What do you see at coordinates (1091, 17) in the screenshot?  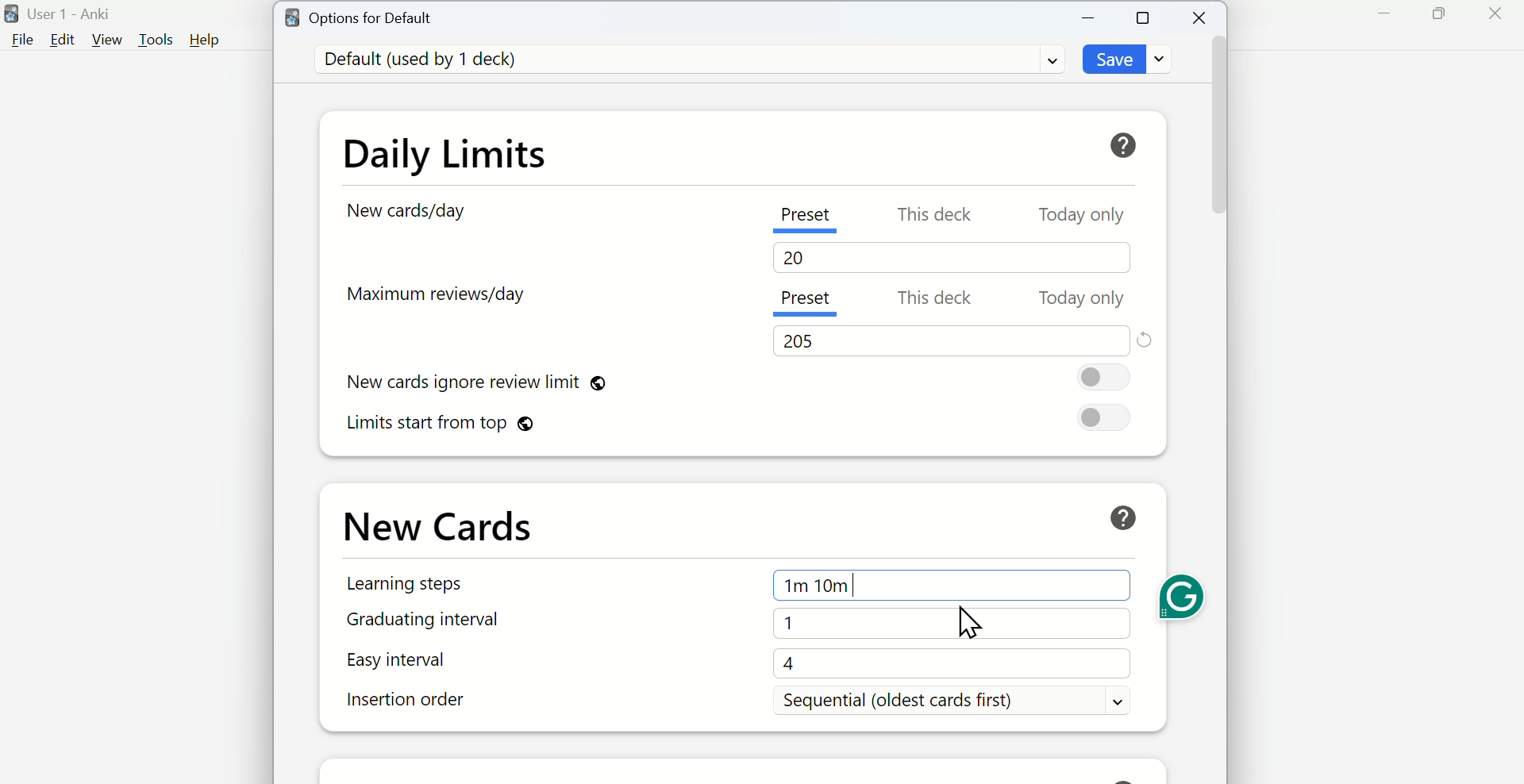 I see `Minimize` at bounding box center [1091, 17].